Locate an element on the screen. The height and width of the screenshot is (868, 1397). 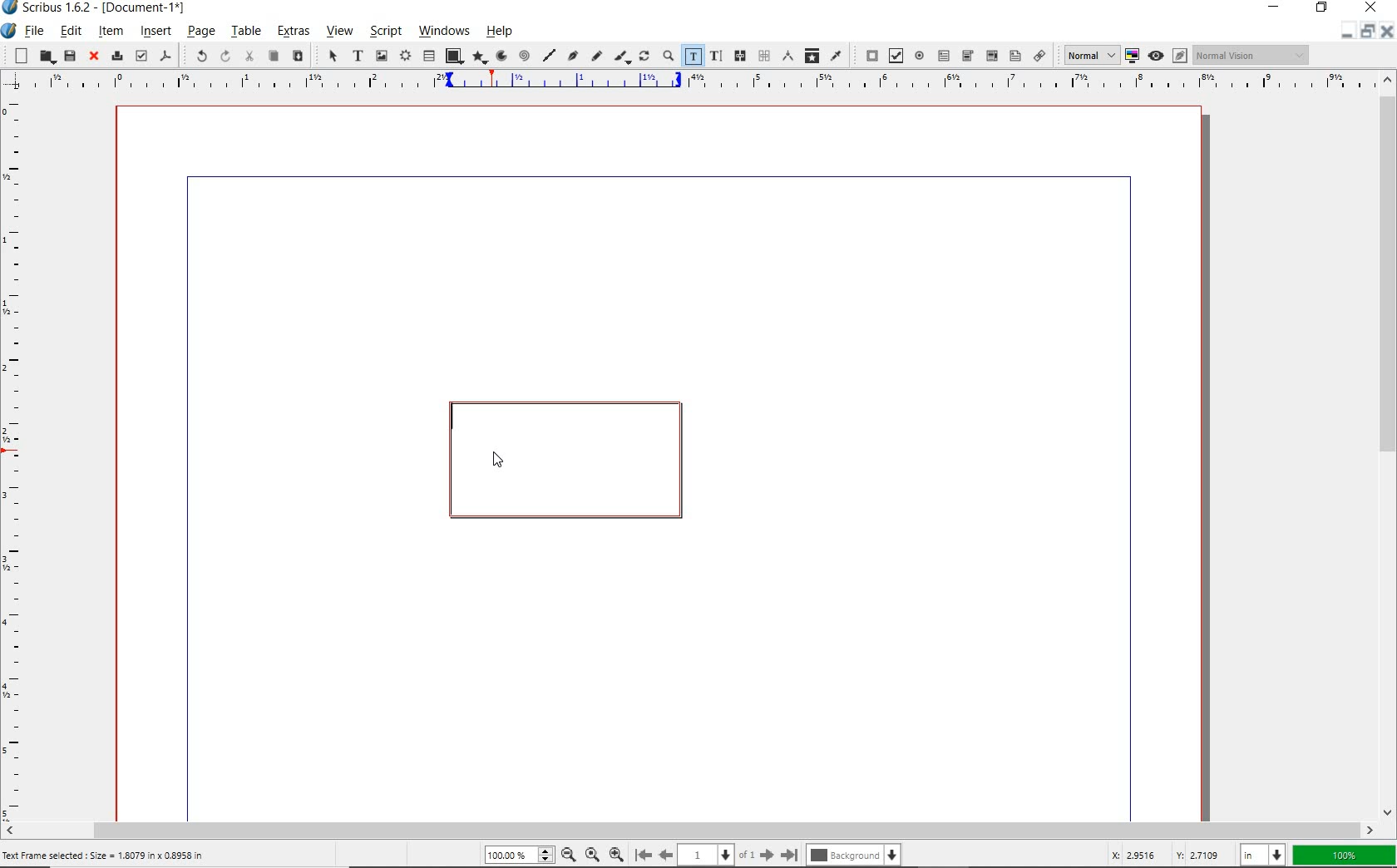
Previous Page is located at coordinates (667, 856).